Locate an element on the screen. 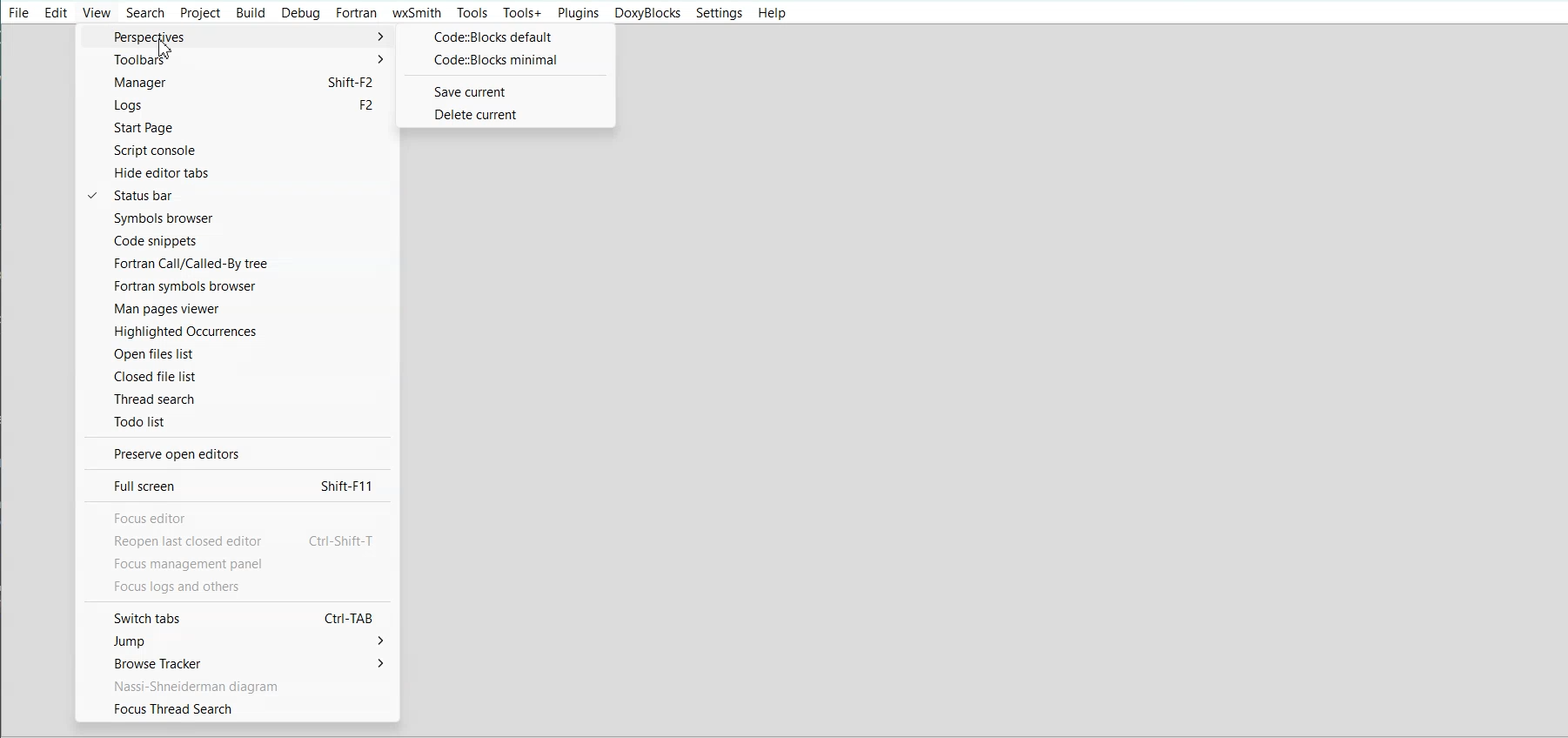  Fortran call is located at coordinates (237, 263).